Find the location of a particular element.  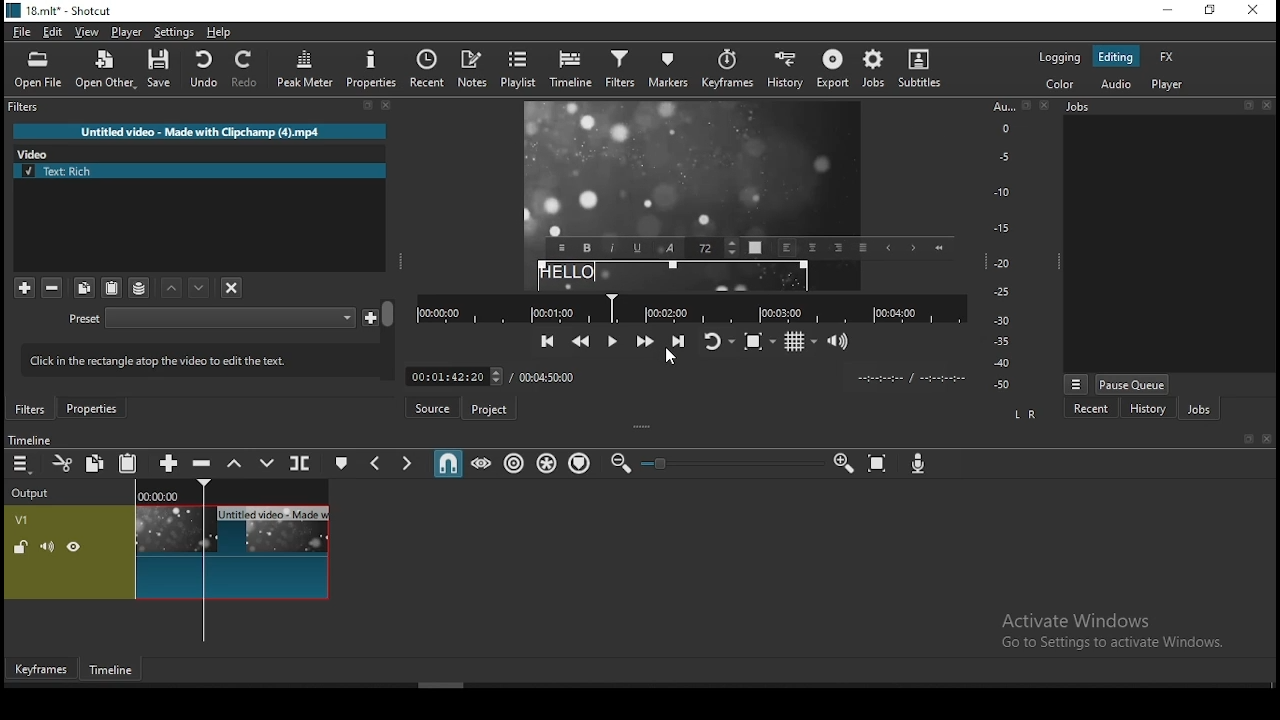

next marker is located at coordinates (407, 461).